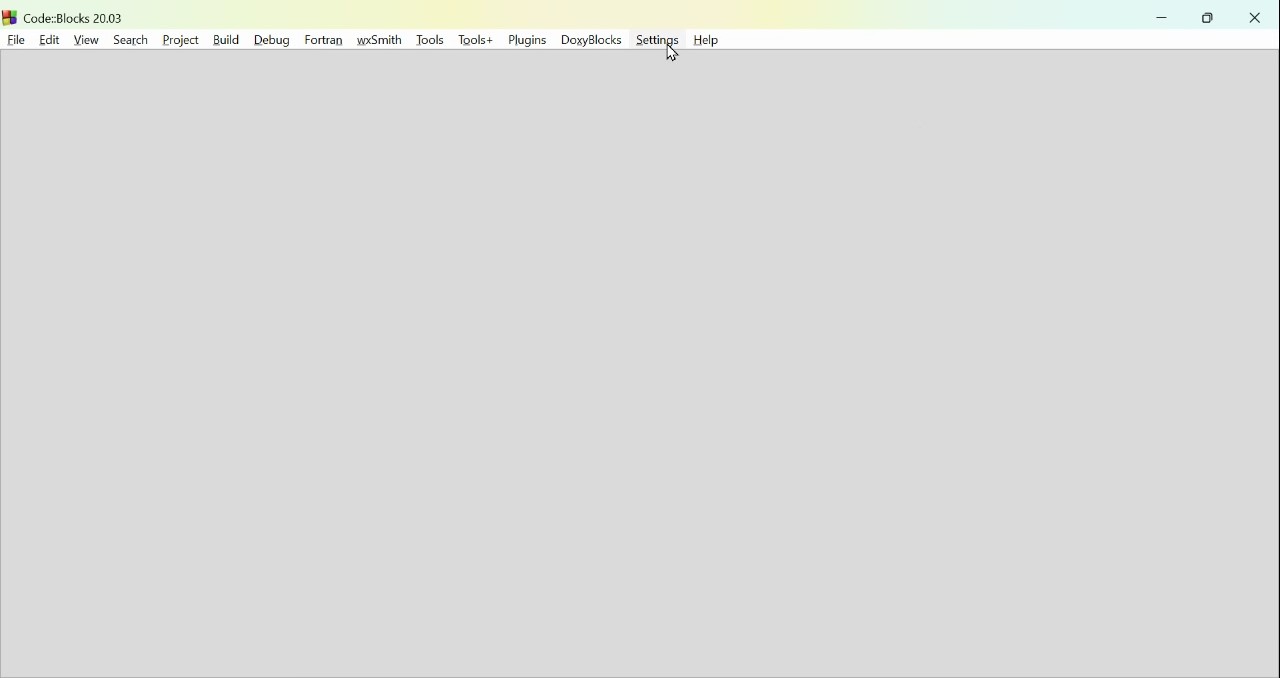 This screenshot has width=1280, height=678. Describe the element at coordinates (269, 38) in the screenshot. I see `Debug` at that location.